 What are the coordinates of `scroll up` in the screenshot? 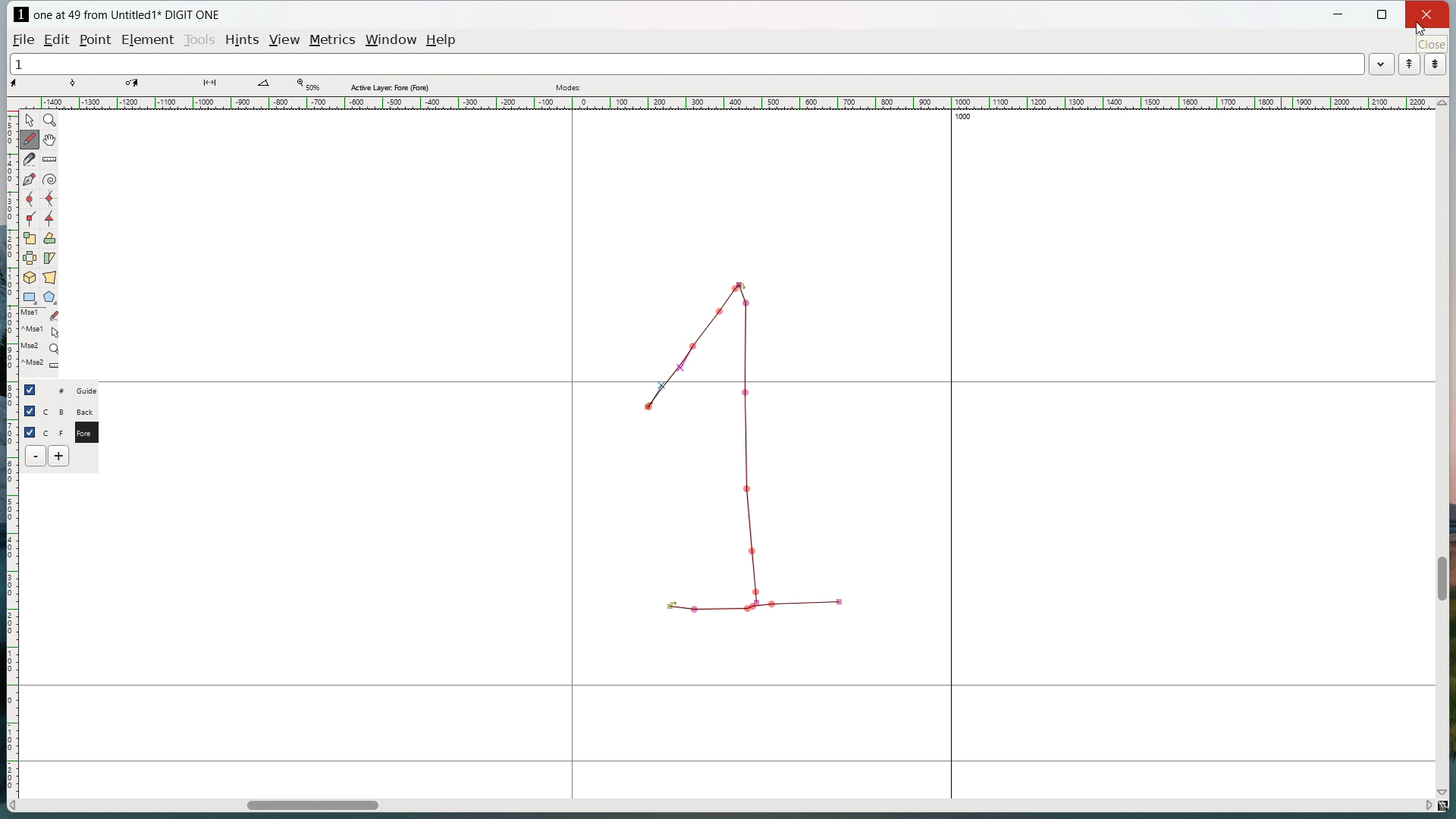 It's located at (1441, 103).